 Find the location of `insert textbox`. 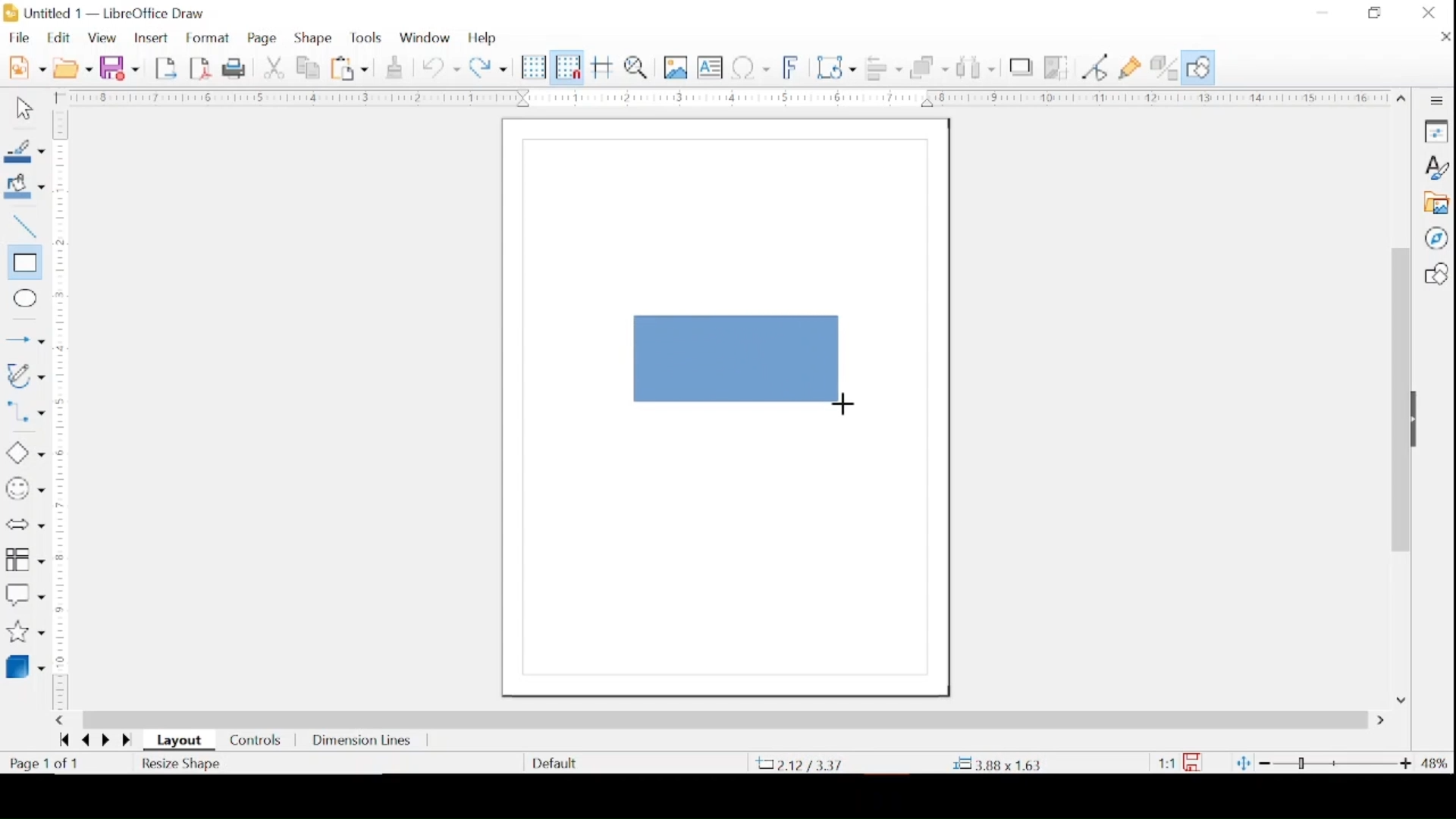

insert textbox is located at coordinates (710, 67).